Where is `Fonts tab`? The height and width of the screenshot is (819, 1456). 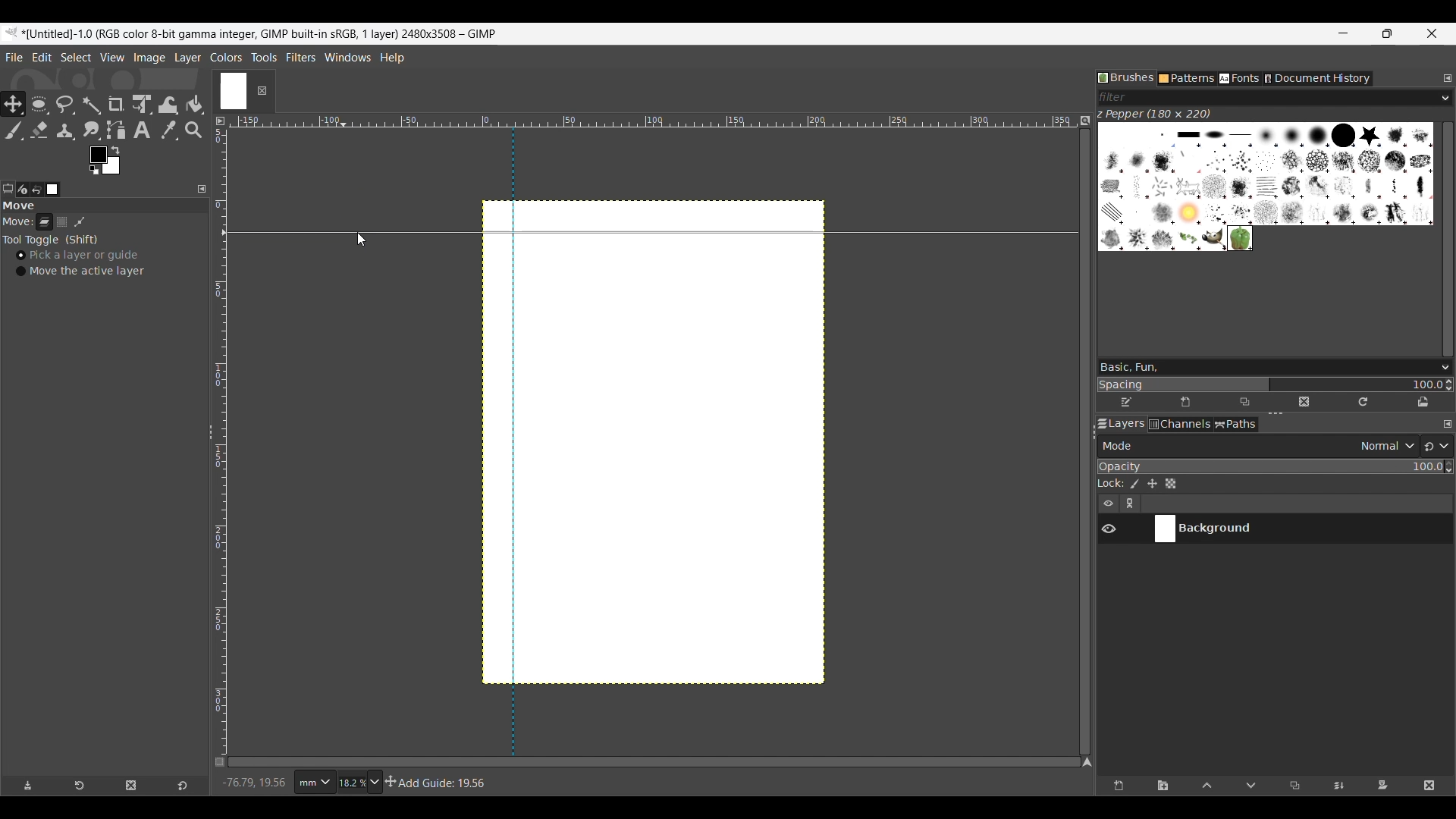
Fonts tab is located at coordinates (1239, 79).